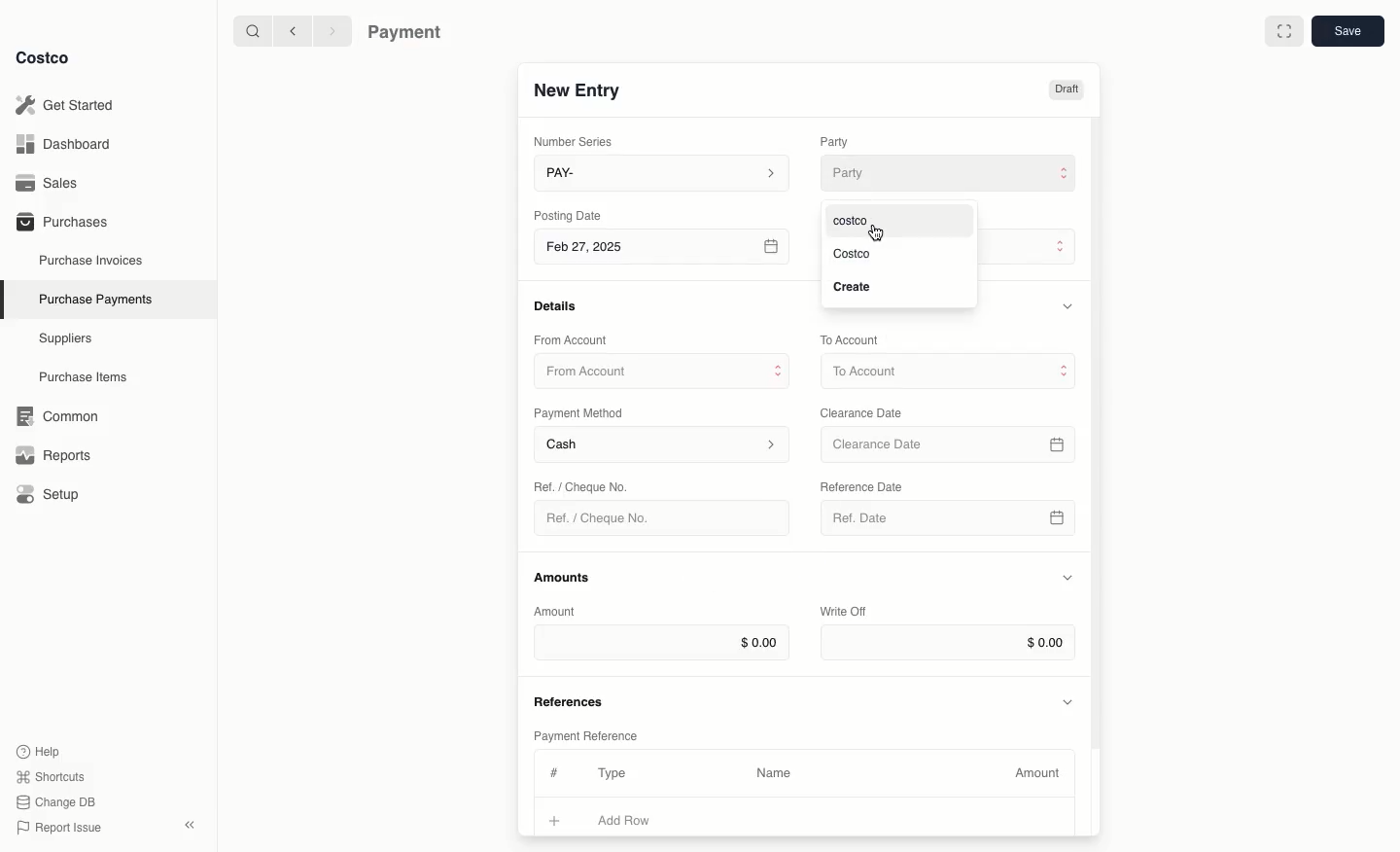  What do you see at coordinates (409, 34) in the screenshot?
I see `Payment` at bounding box center [409, 34].